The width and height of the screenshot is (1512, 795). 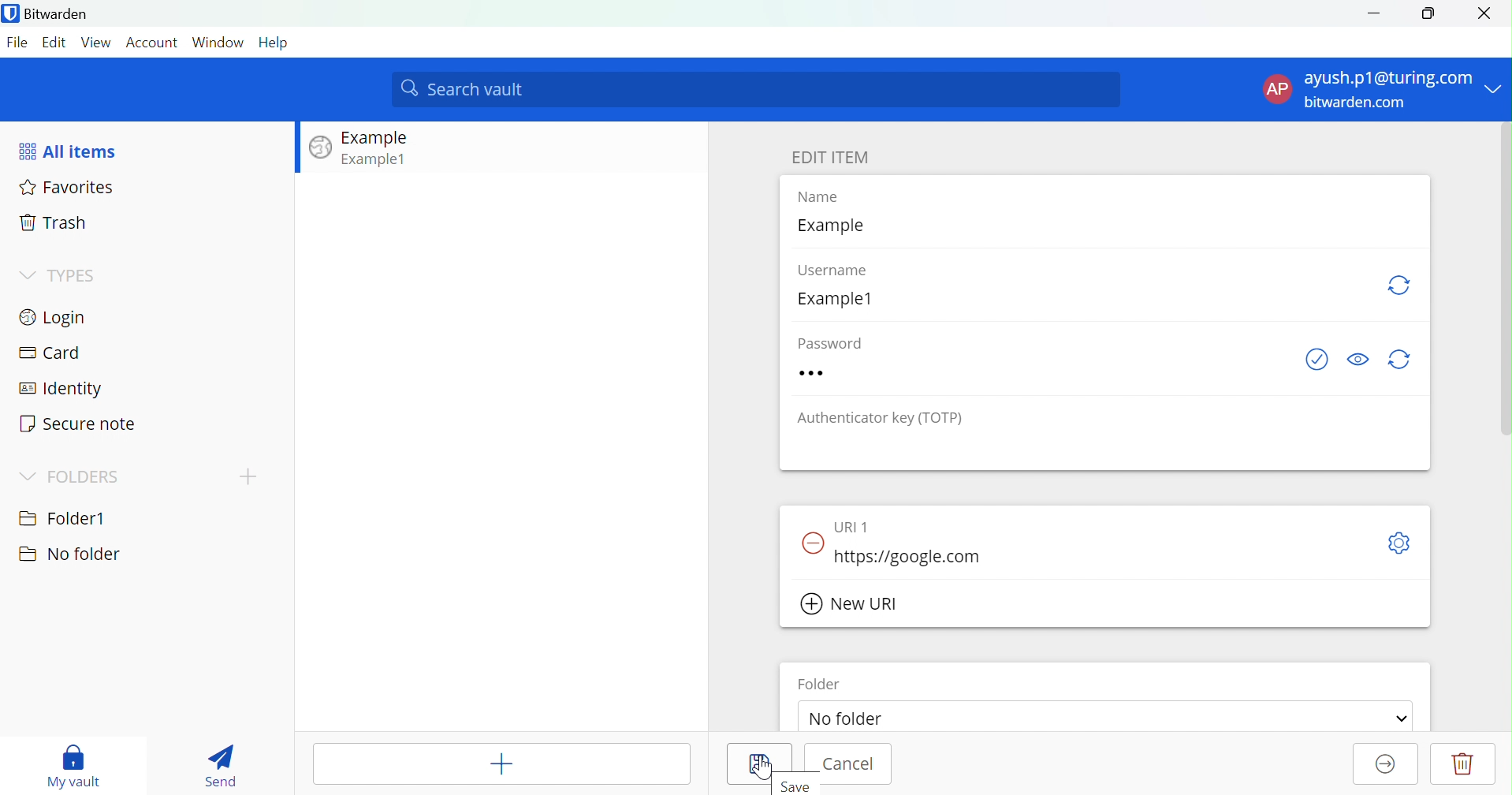 What do you see at coordinates (1359, 103) in the screenshot?
I see `bitwarden.com` at bounding box center [1359, 103].